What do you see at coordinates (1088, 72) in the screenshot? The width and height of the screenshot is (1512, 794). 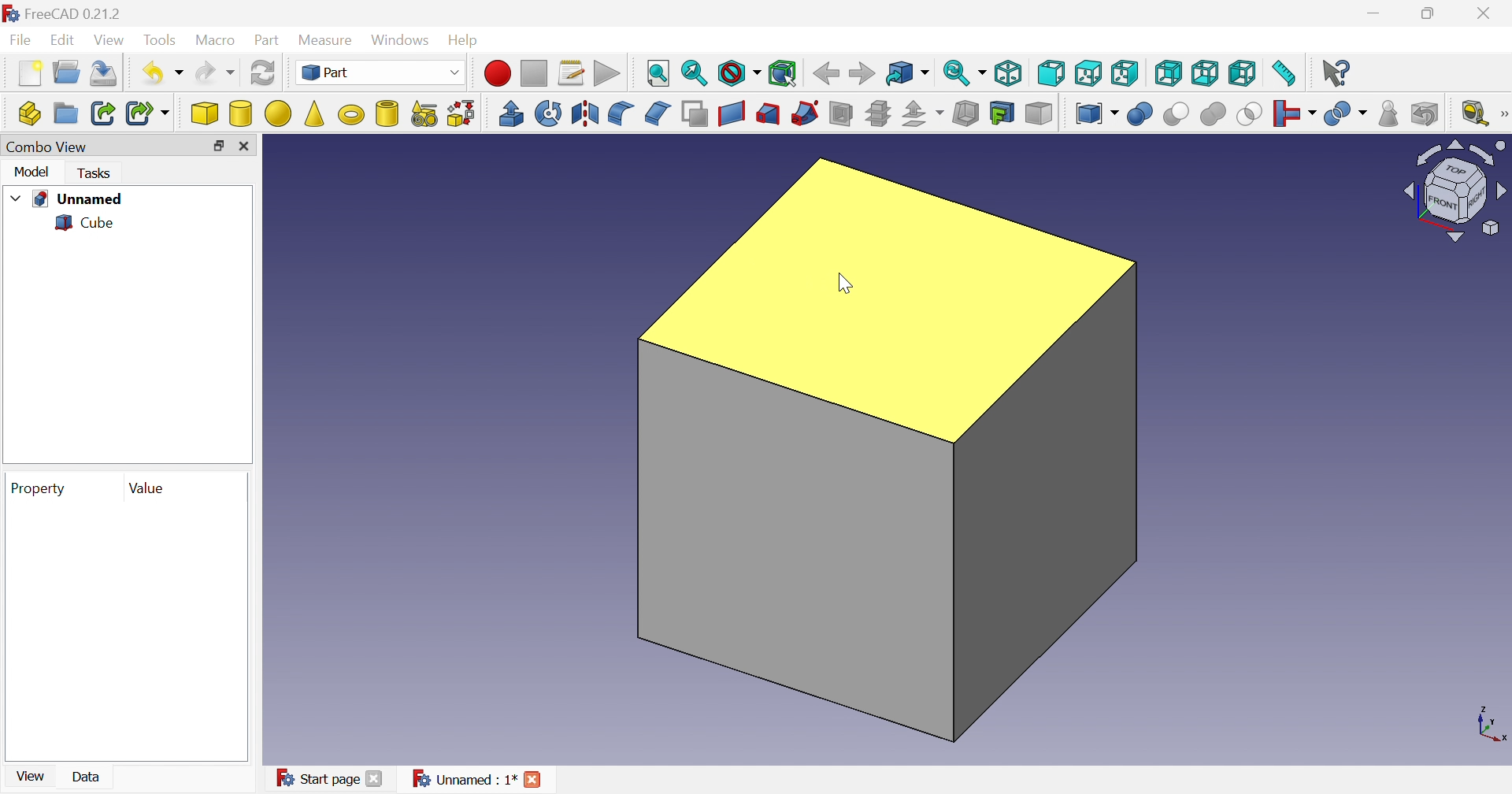 I see `Top` at bounding box center [1088, 72].